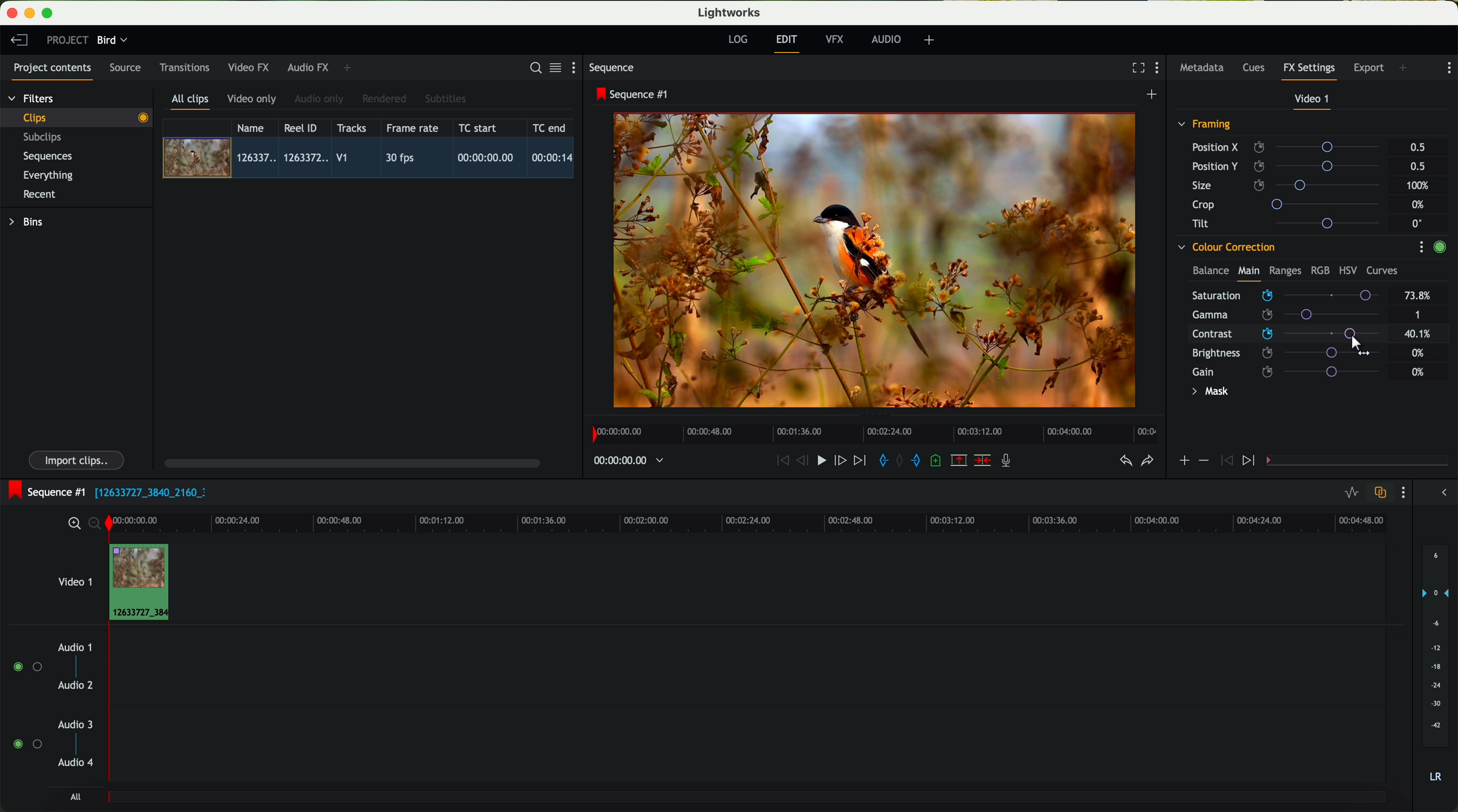 The image size is (1458, 812). What do you see at coordinates (125, 68) in the screenshot?
I see `source` at bounding box center [125, 68].